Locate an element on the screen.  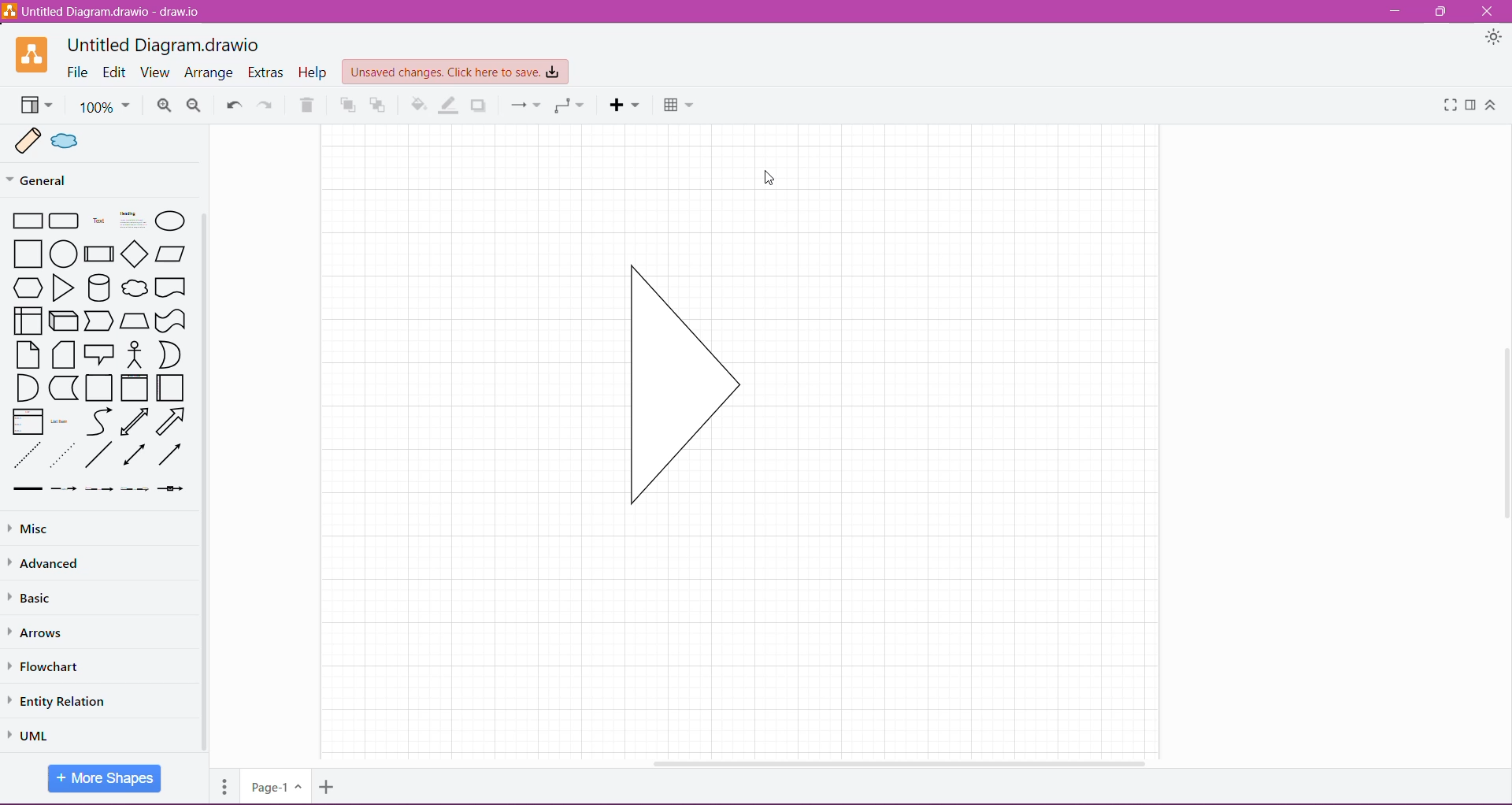
Add Pages is located at coordinates (327, 787).